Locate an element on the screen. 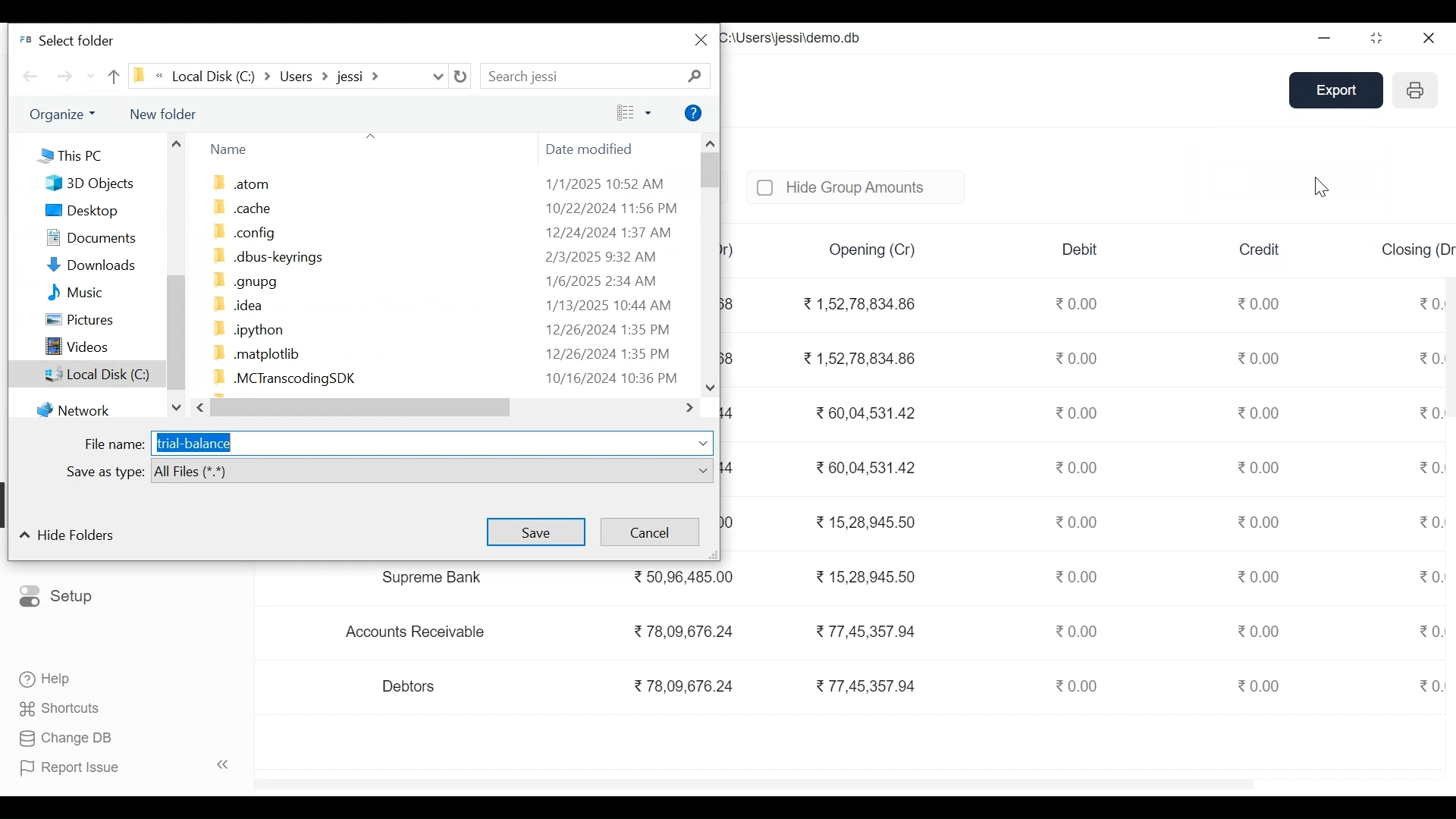  Organize  is located at coordinates (64, 114).